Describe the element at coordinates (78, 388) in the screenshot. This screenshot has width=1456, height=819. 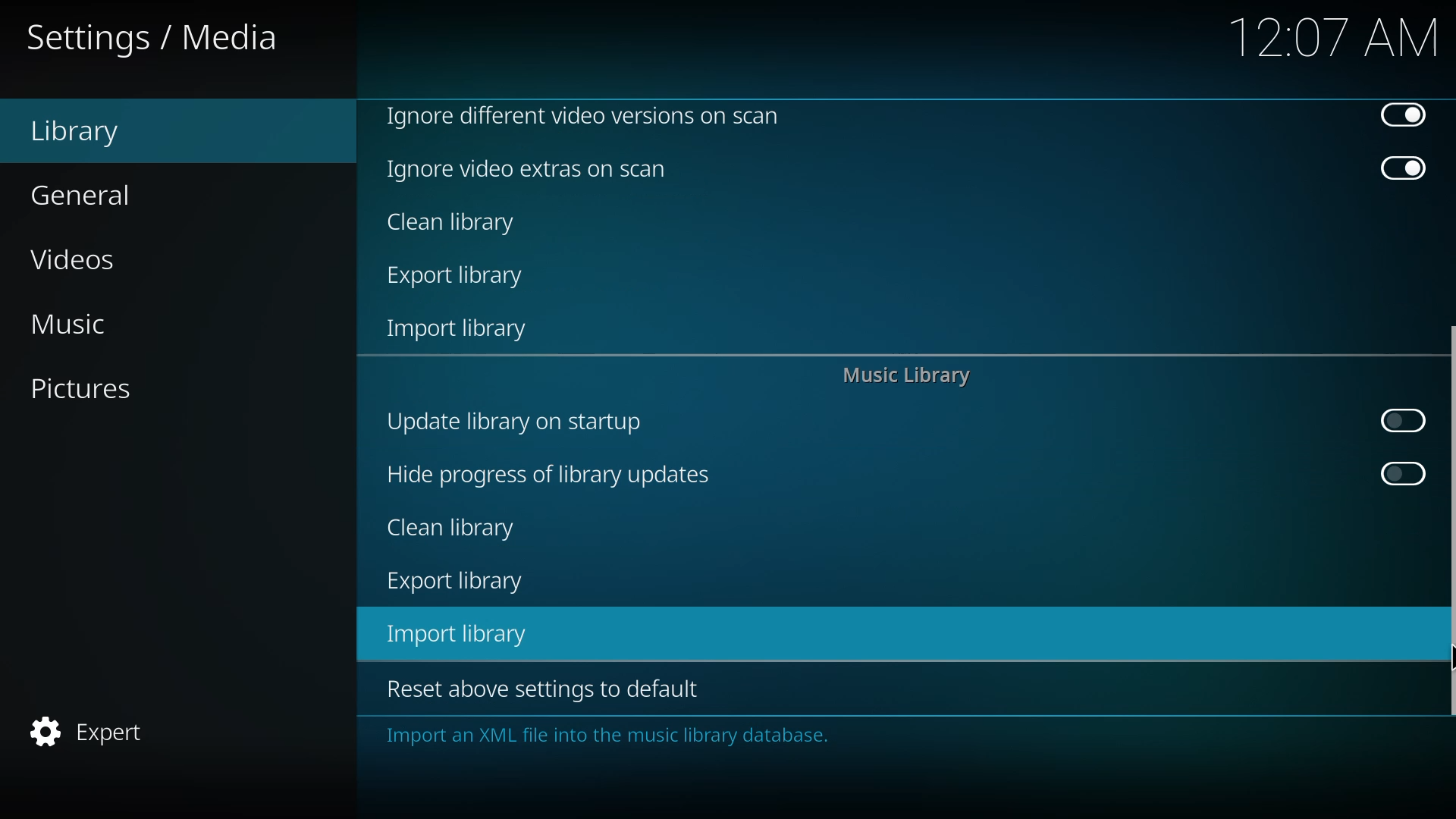
I see `pictures` at that location.